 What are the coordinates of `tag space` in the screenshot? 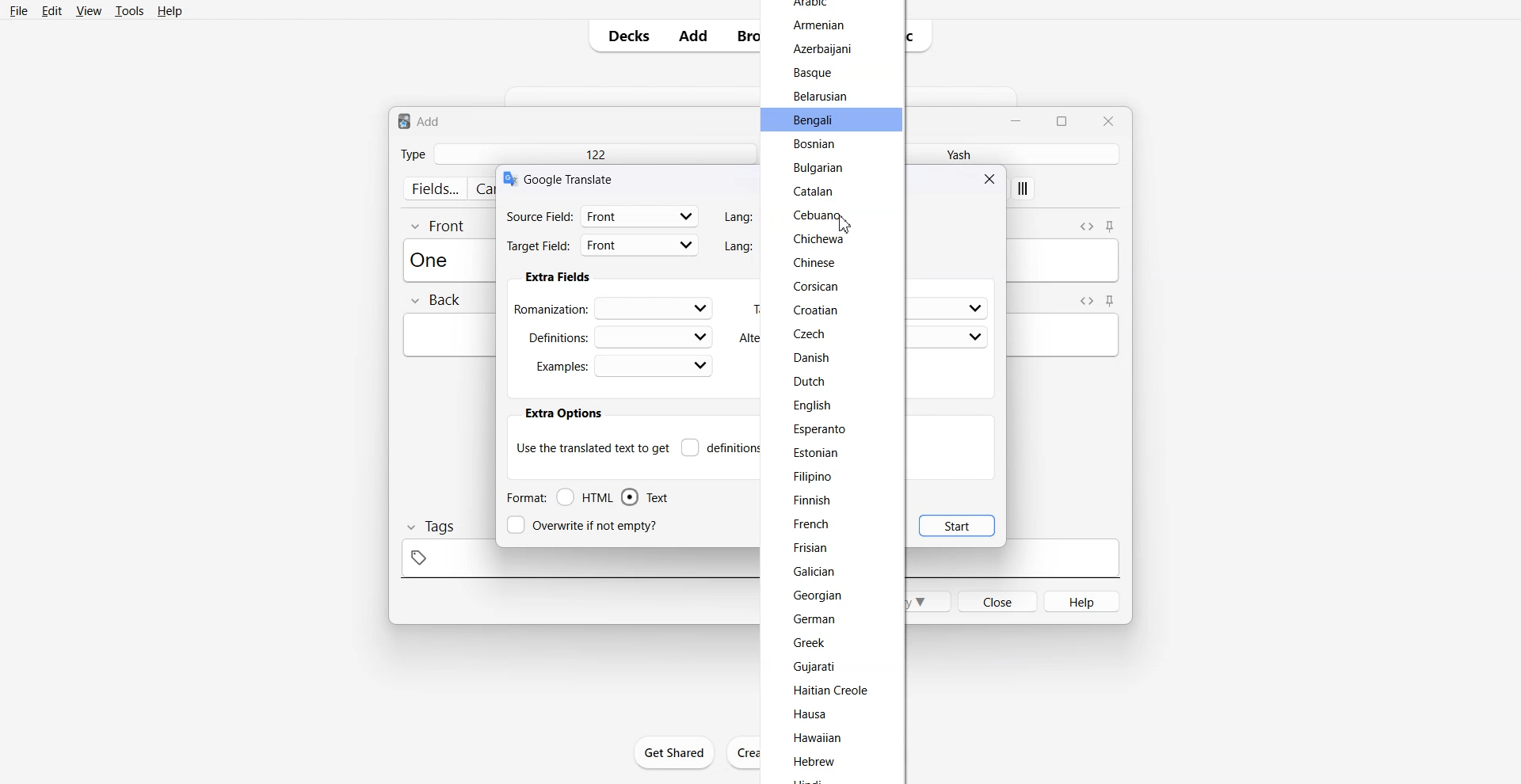 It's located at (575, 563).